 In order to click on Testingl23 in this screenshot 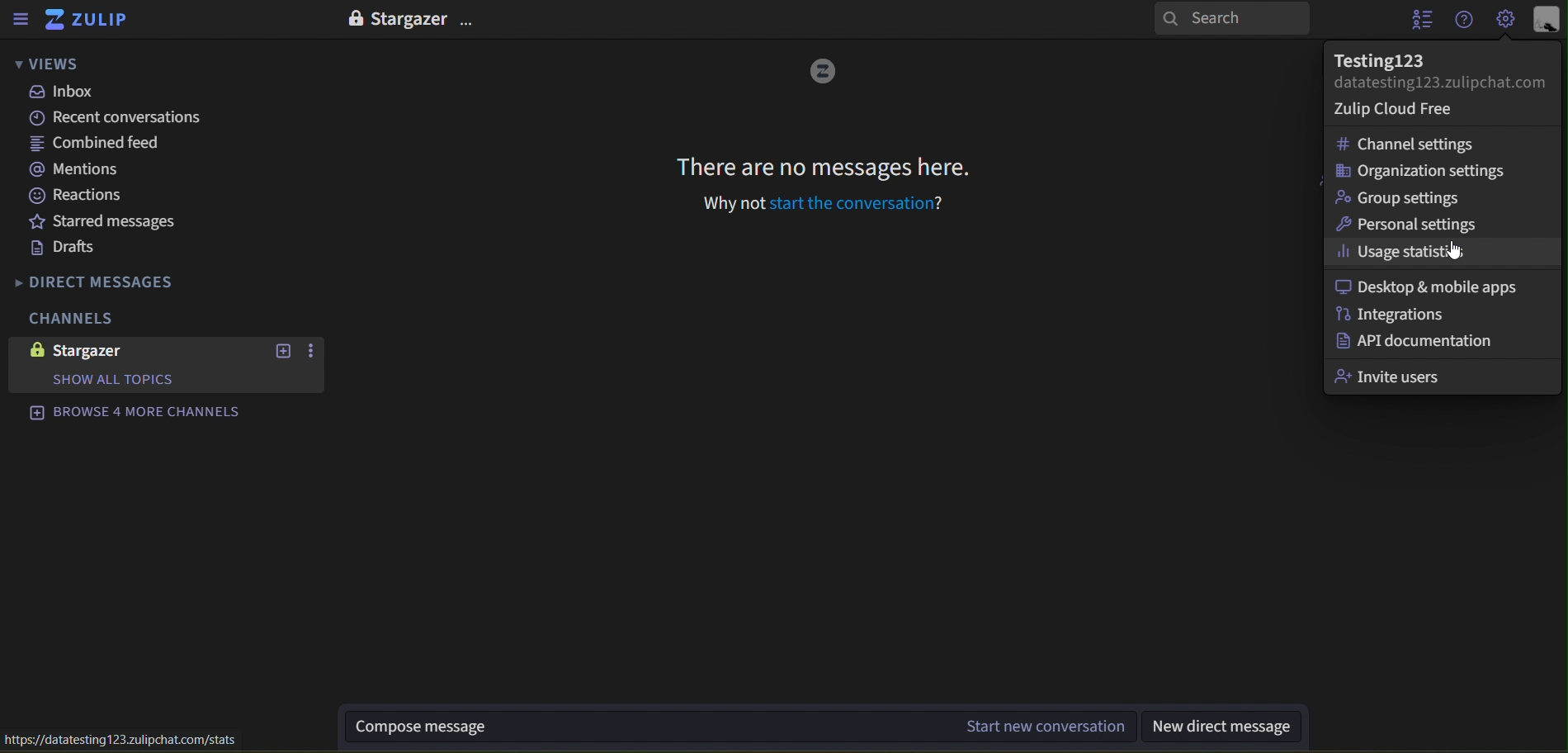, I will do `click(1405, 56)`.